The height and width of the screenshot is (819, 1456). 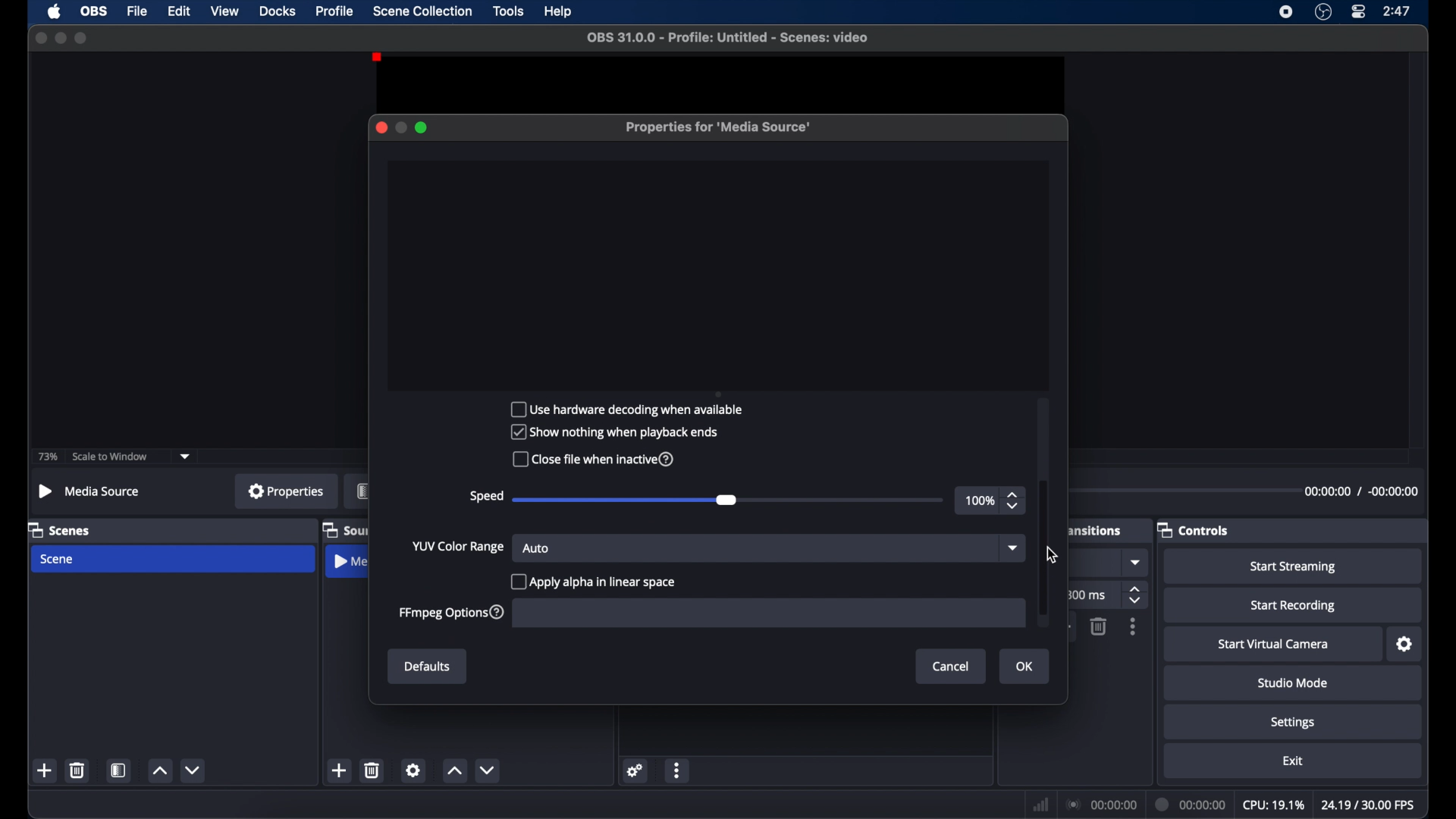 What do you see at coordinates (119, 770) in the screenshot?
I see `scene filters` at bounding box center [119, 770].